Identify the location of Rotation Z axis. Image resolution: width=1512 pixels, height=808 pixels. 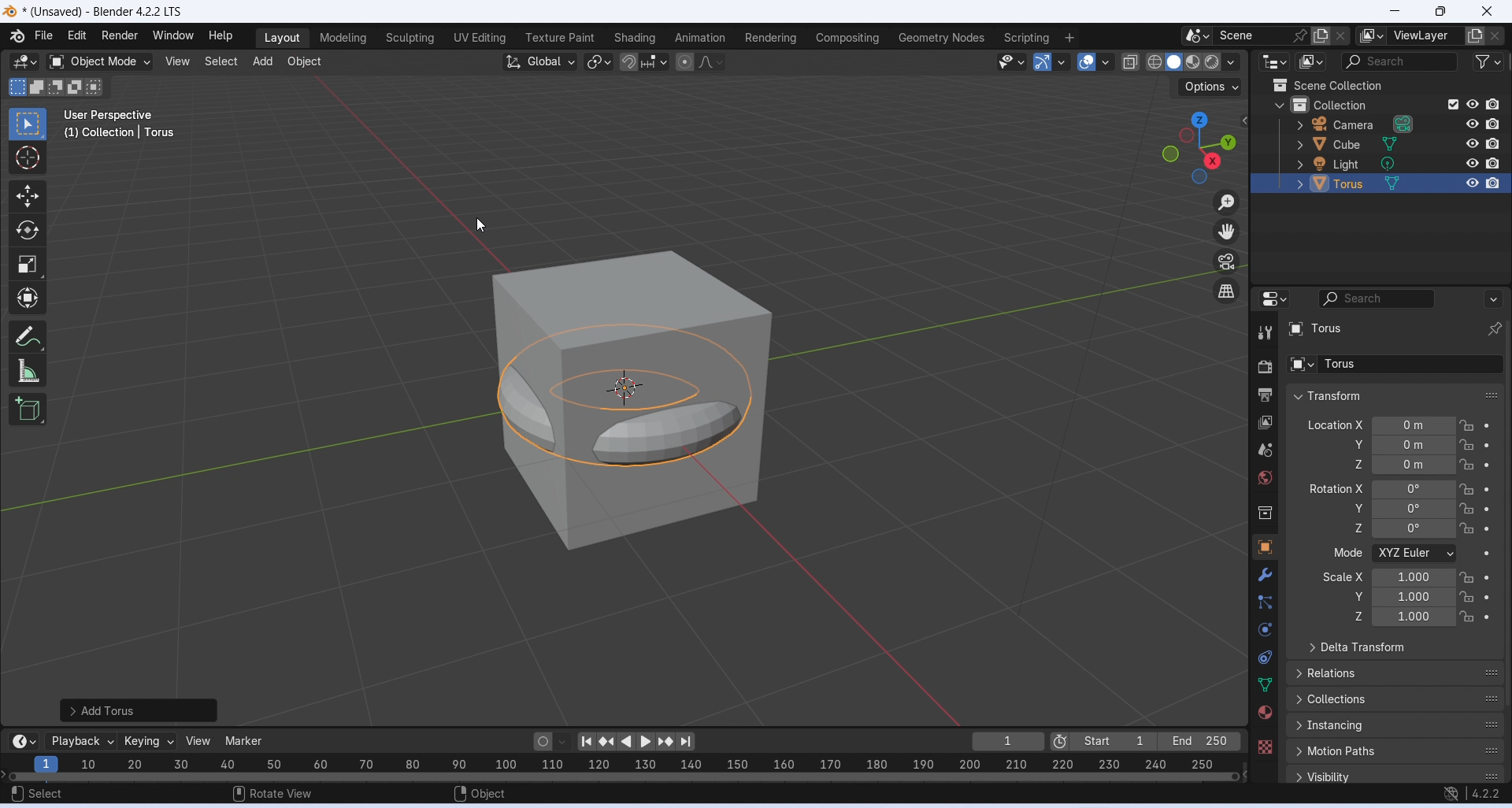
(1358, 527).